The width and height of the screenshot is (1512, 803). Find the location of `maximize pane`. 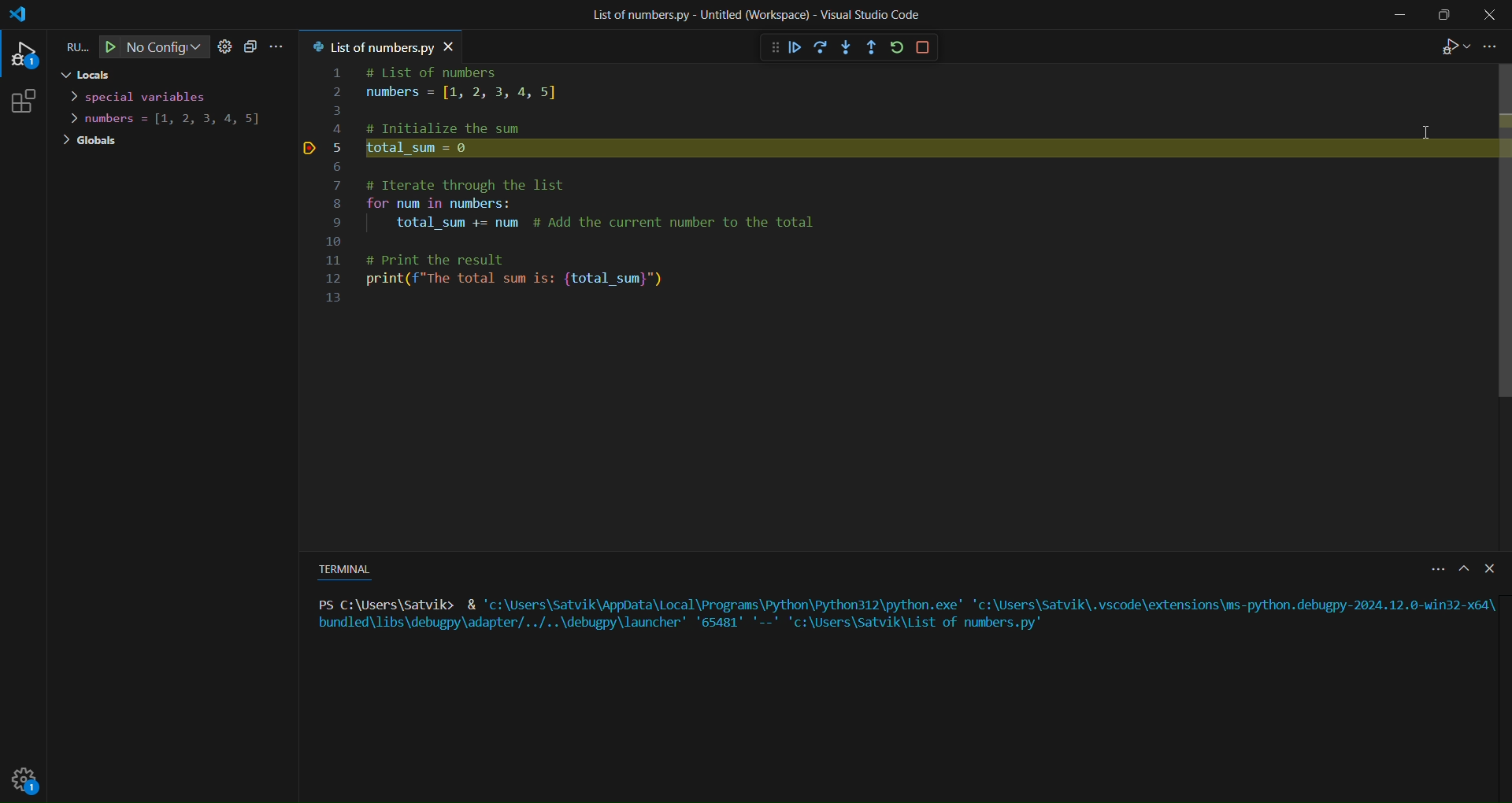

maximize pane is located at coordinates (1463, 571).